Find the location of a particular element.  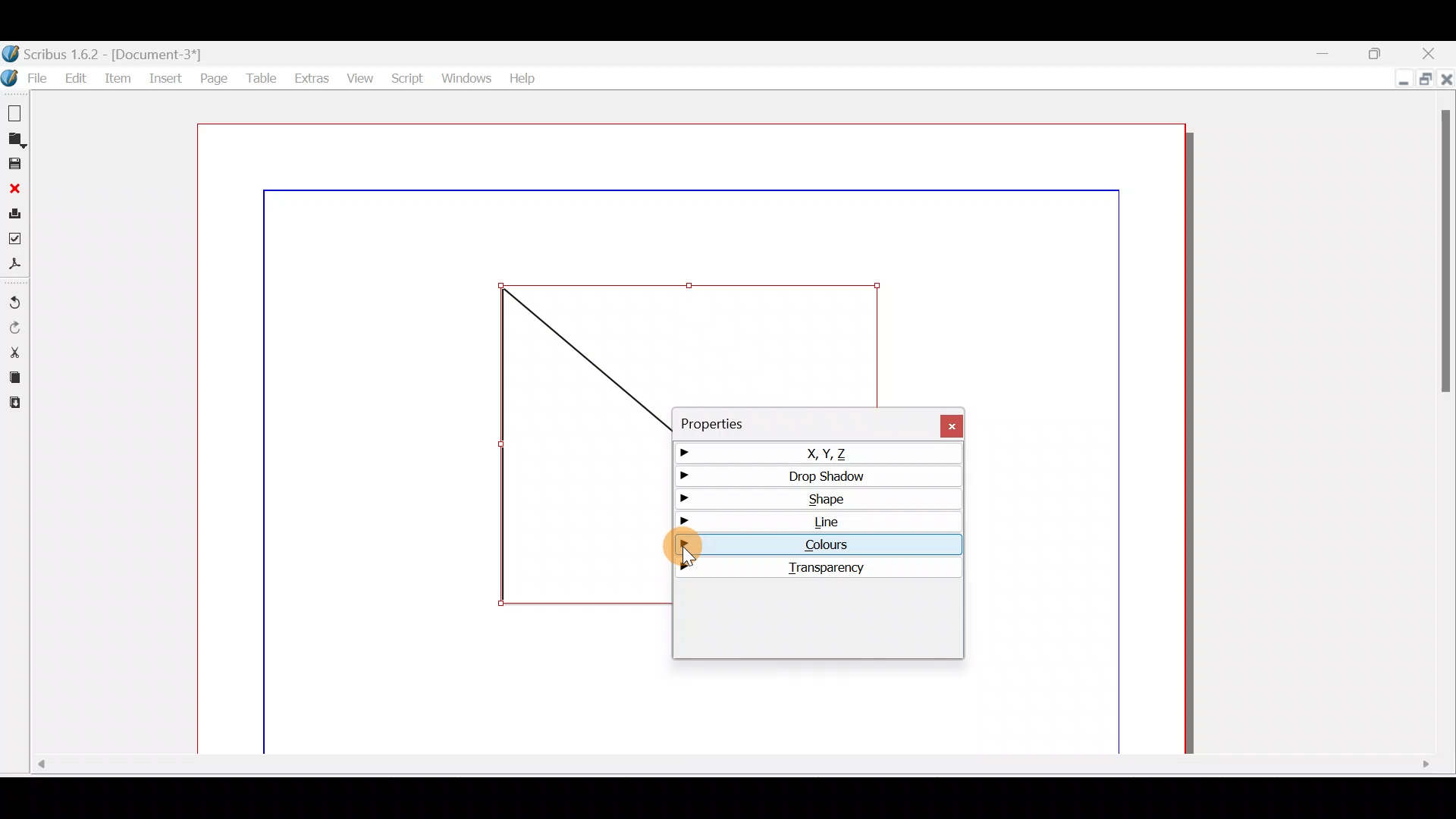

Scroll bar is located at coordinates (726, 768).